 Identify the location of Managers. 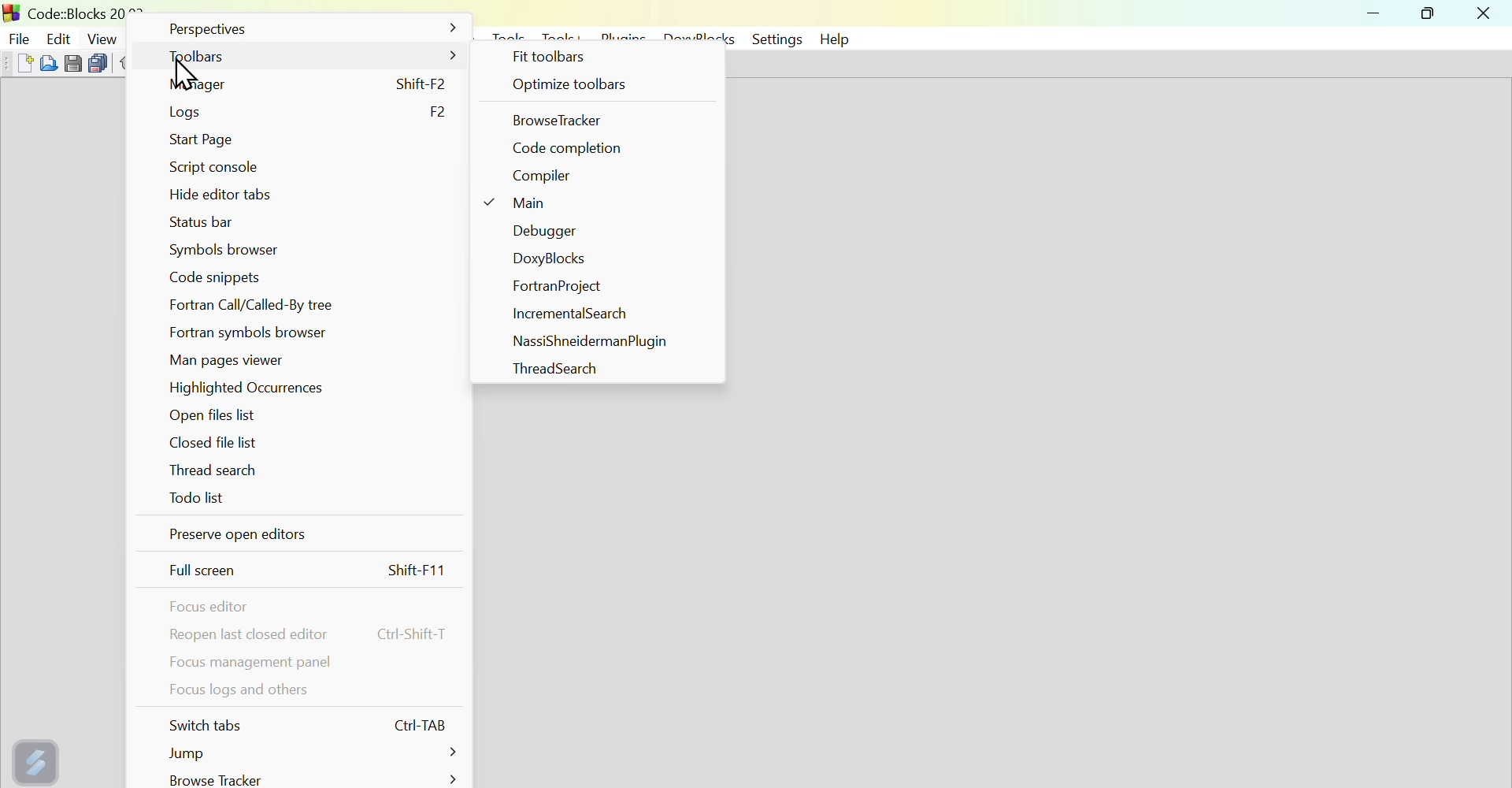
(314, 84).